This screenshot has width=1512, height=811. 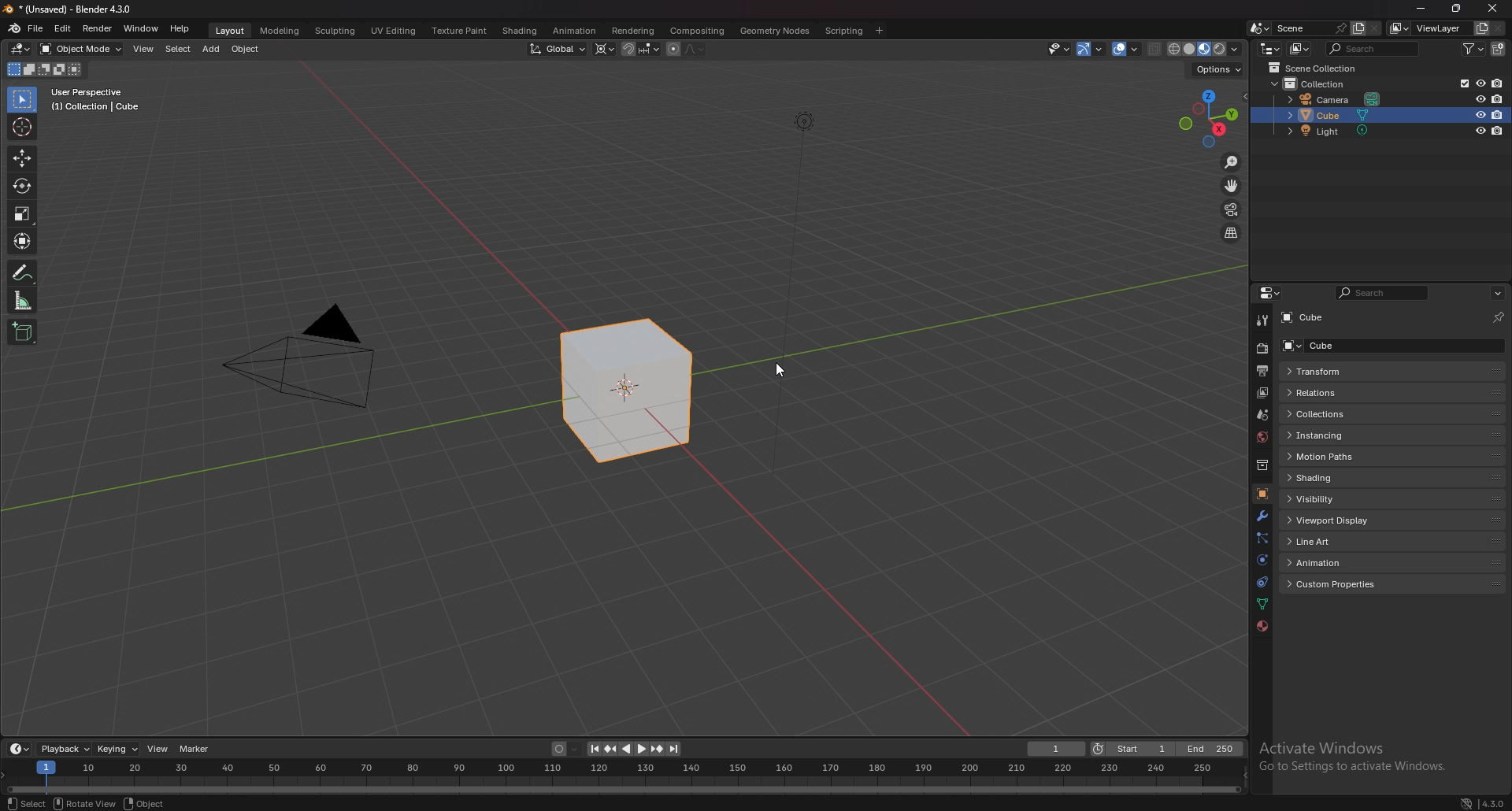 I want to click on scene, so click(x=1262, y=415).